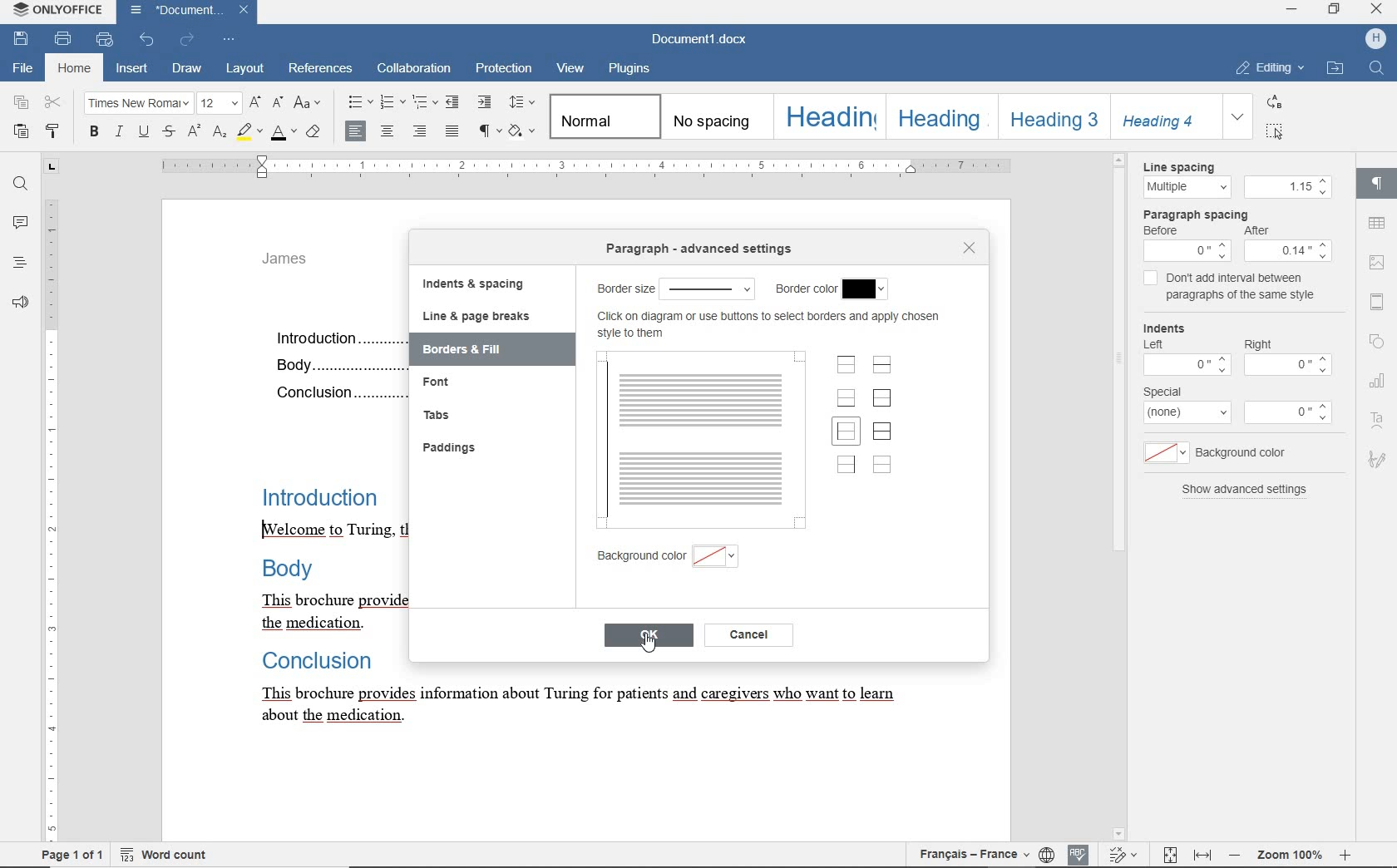  Describe the element at coordinates (608, 441) in the screenshot. I see `vertical line` at that location.